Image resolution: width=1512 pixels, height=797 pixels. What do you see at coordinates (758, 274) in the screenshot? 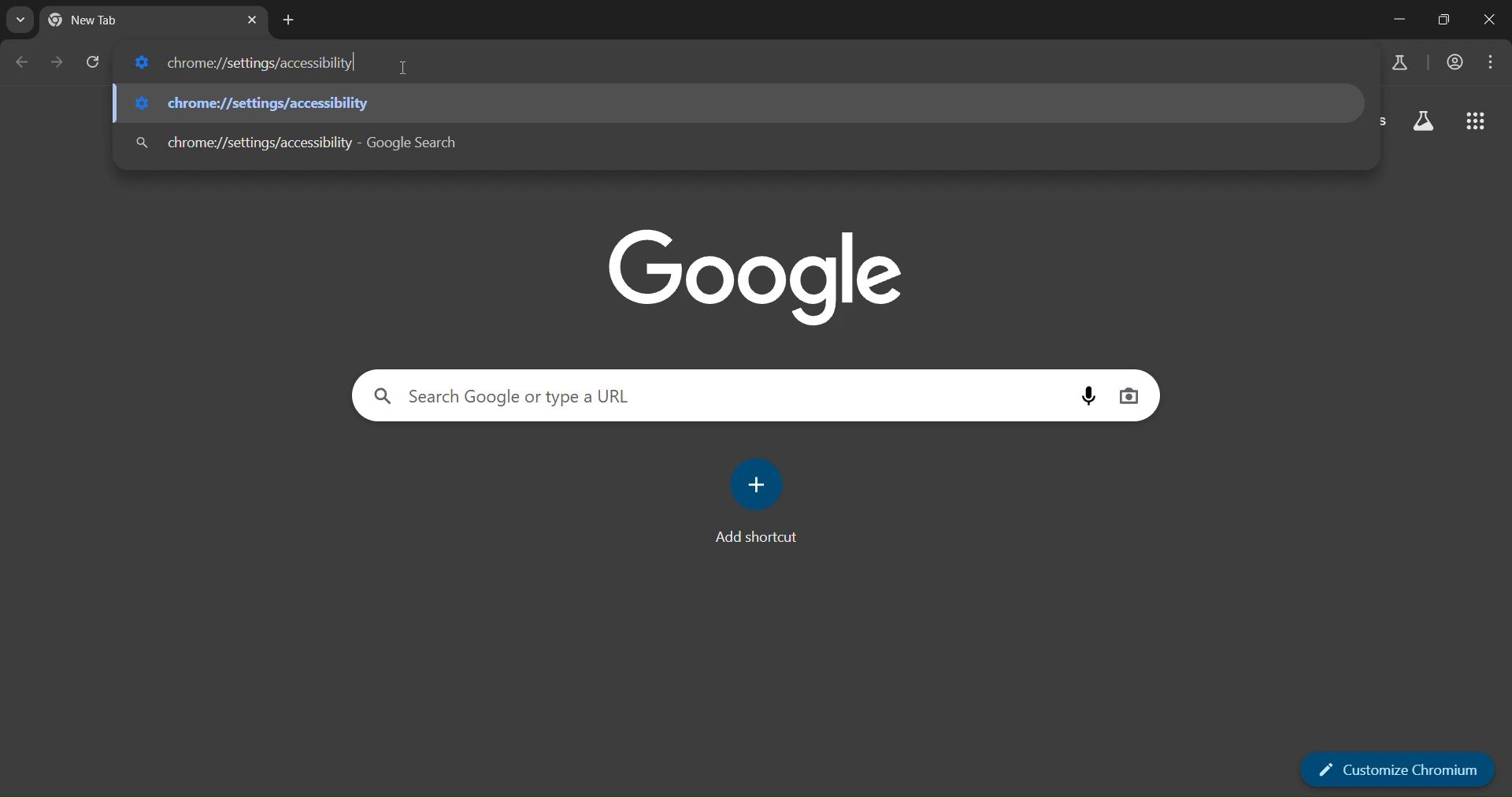
I see `Google` at bounding box center [758, 274].